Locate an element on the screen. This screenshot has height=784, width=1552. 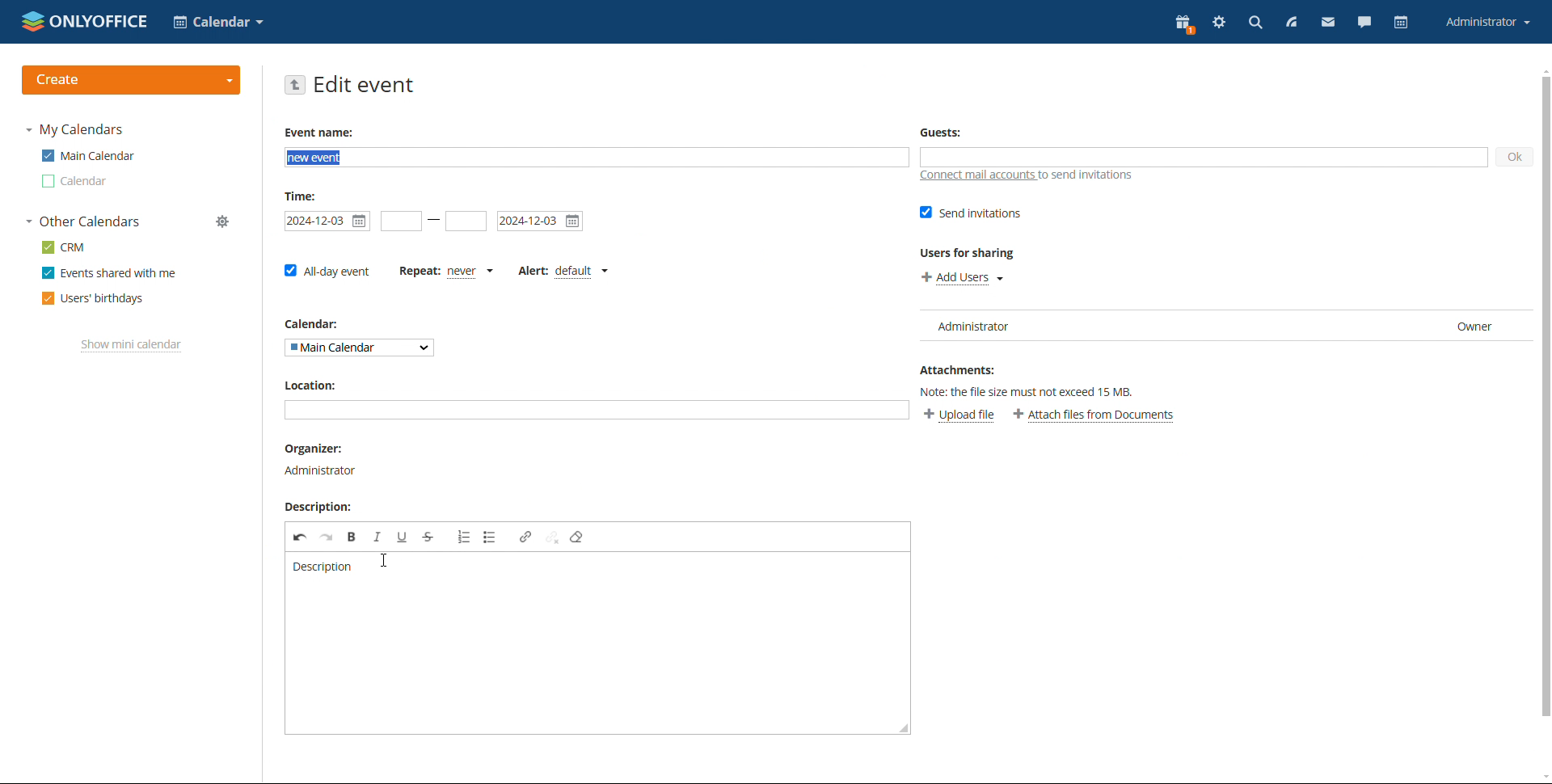
Organizer: is located at coordinates (315, 449).